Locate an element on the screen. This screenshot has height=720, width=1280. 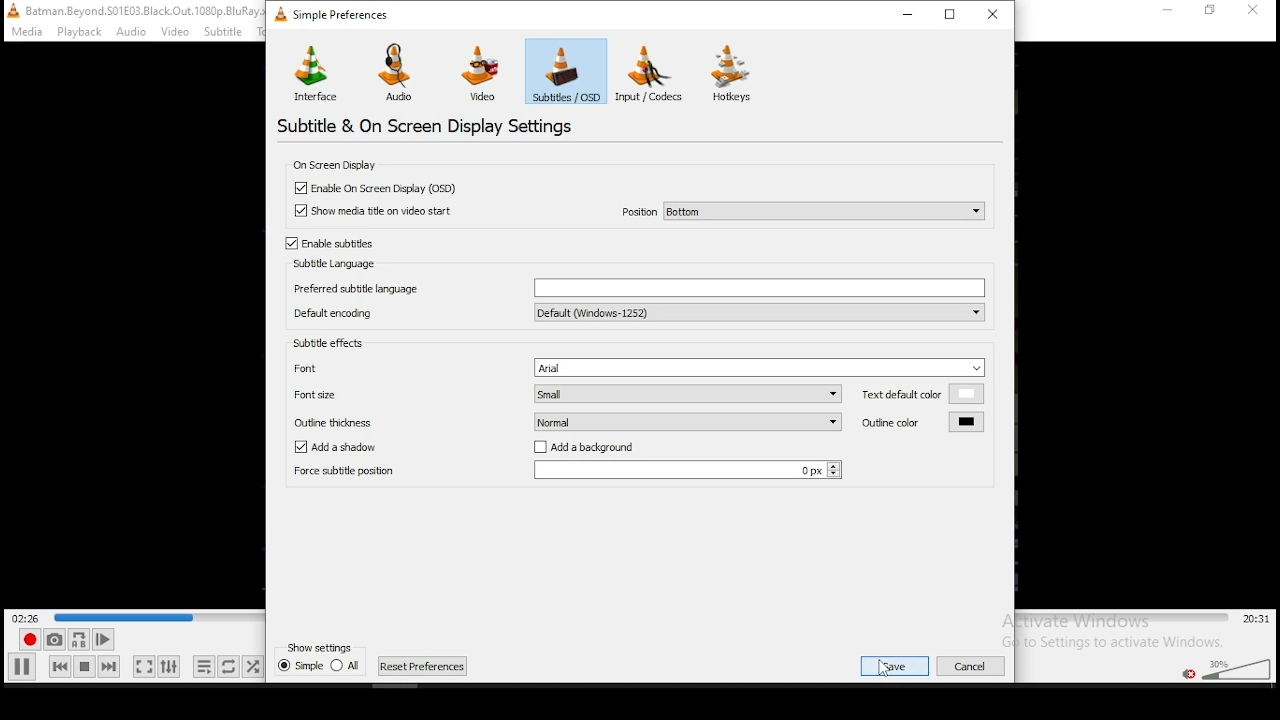
close window is located at coordinates (995, 13).